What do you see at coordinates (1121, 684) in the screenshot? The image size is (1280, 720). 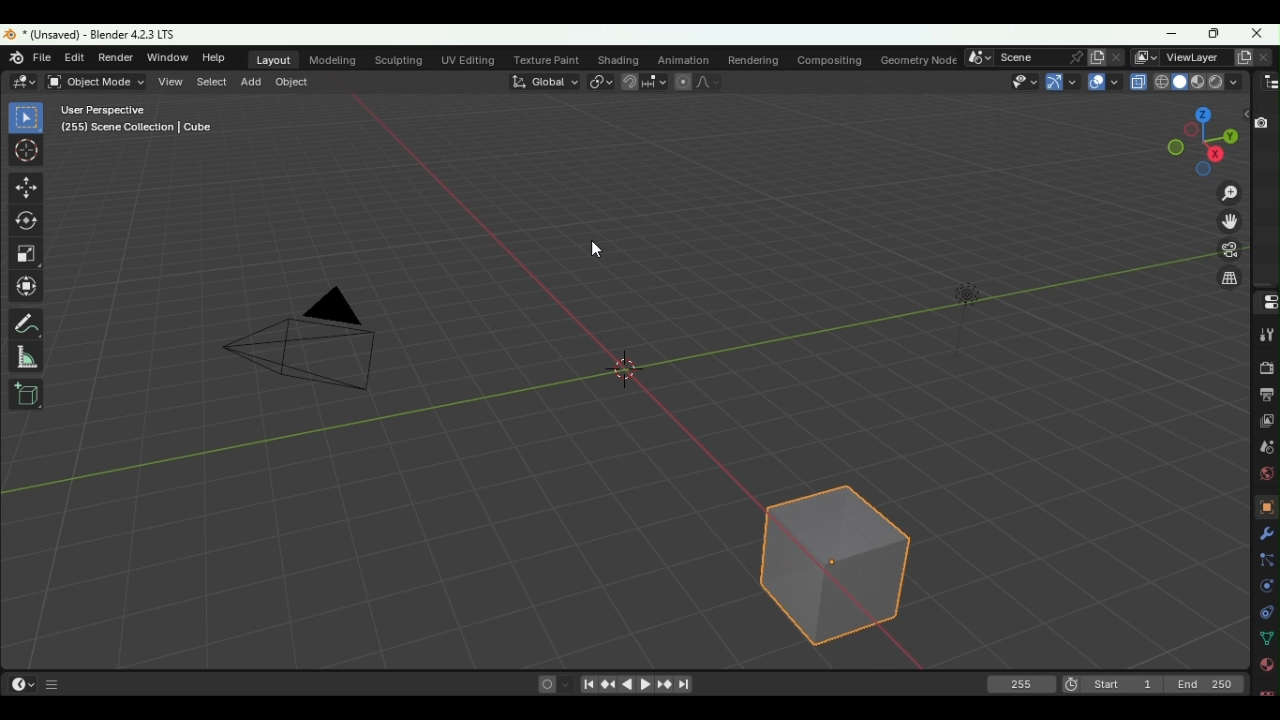 I see `First frame of the playback/rendering range` at bounding box center [1121, 684].